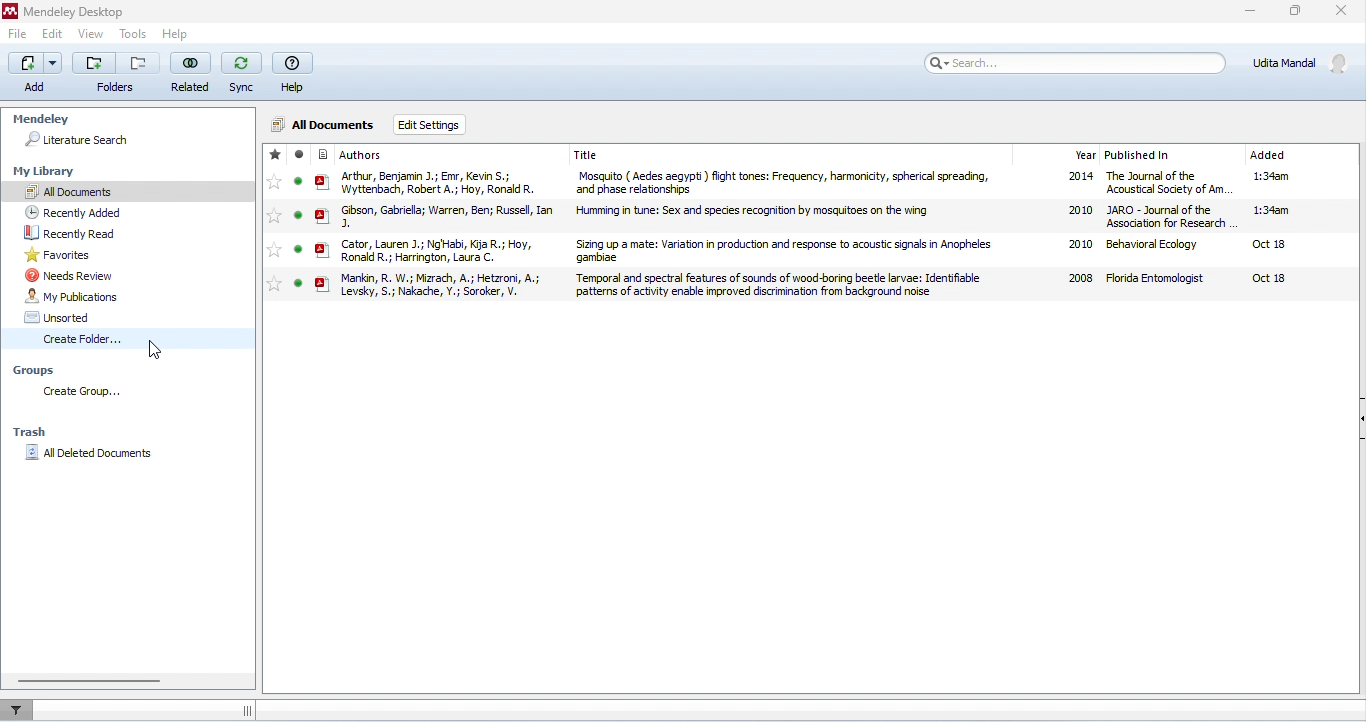 This screenshot has height=722, width=1366. I want to click on drag to expand, so click(246, 711).